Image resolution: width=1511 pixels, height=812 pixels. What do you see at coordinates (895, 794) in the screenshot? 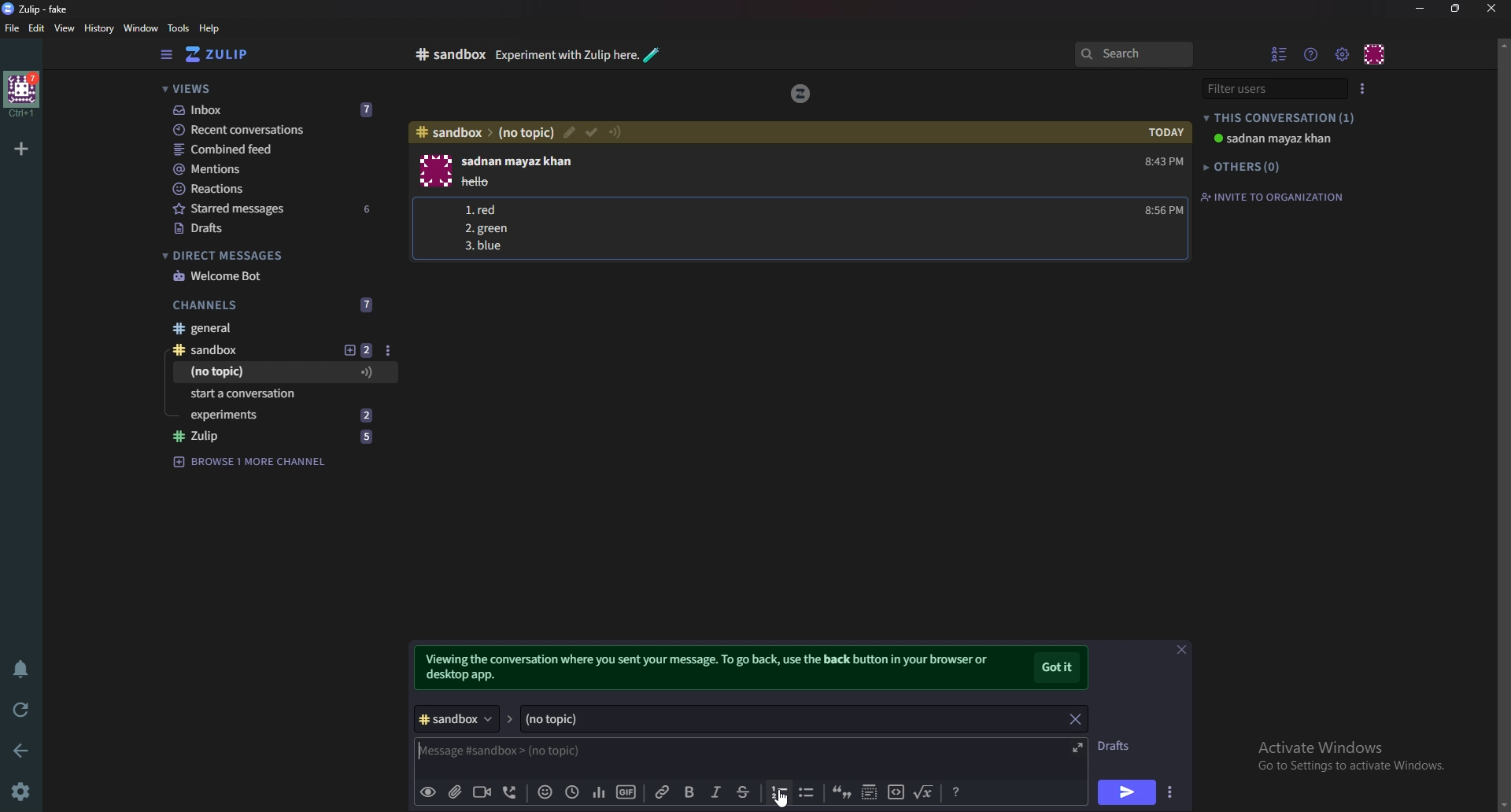
I see `code` at bounding box center [895, 794].